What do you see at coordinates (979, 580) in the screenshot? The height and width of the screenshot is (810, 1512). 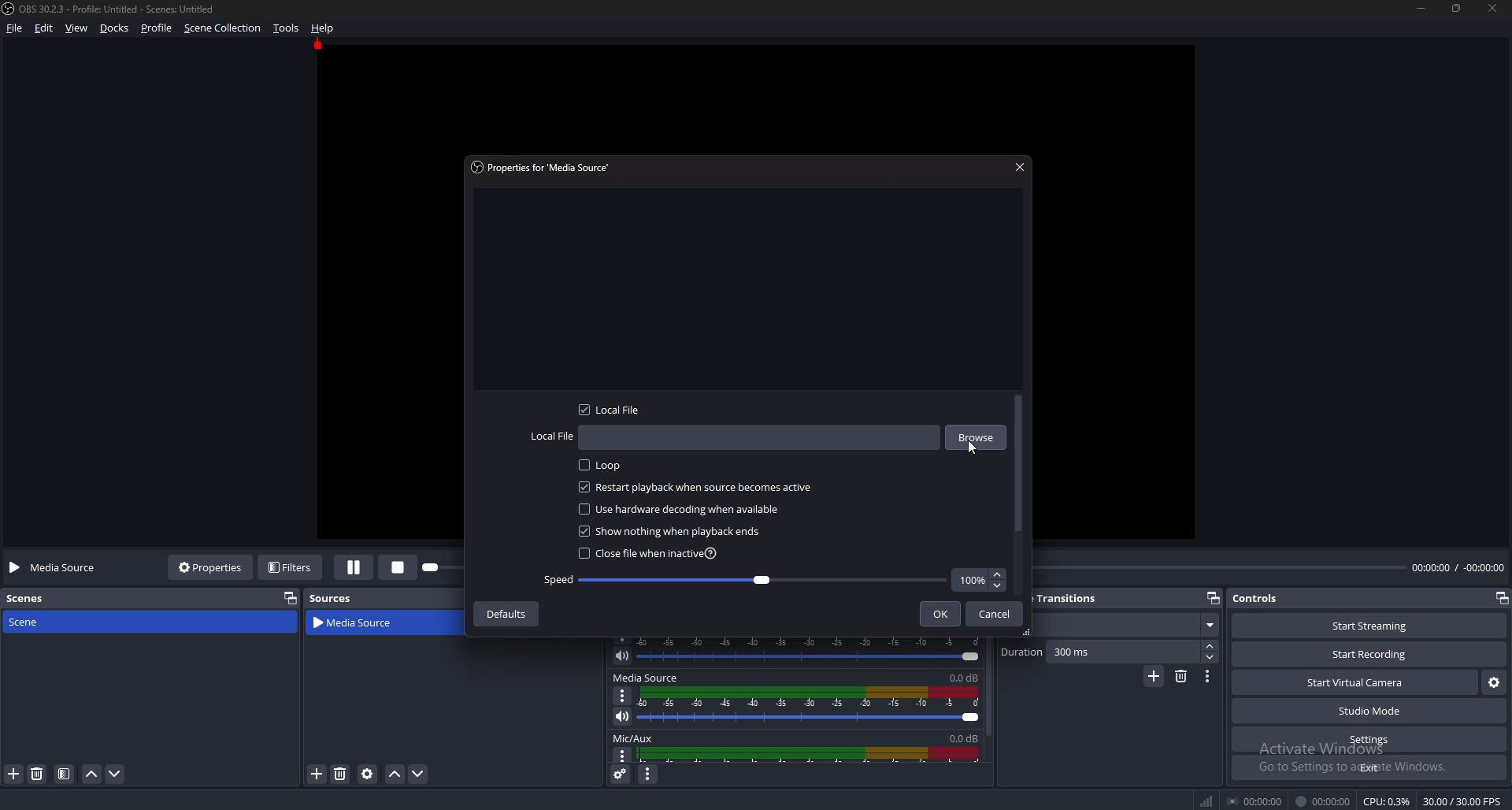 I see `speed` at bounding box center [979, 580].